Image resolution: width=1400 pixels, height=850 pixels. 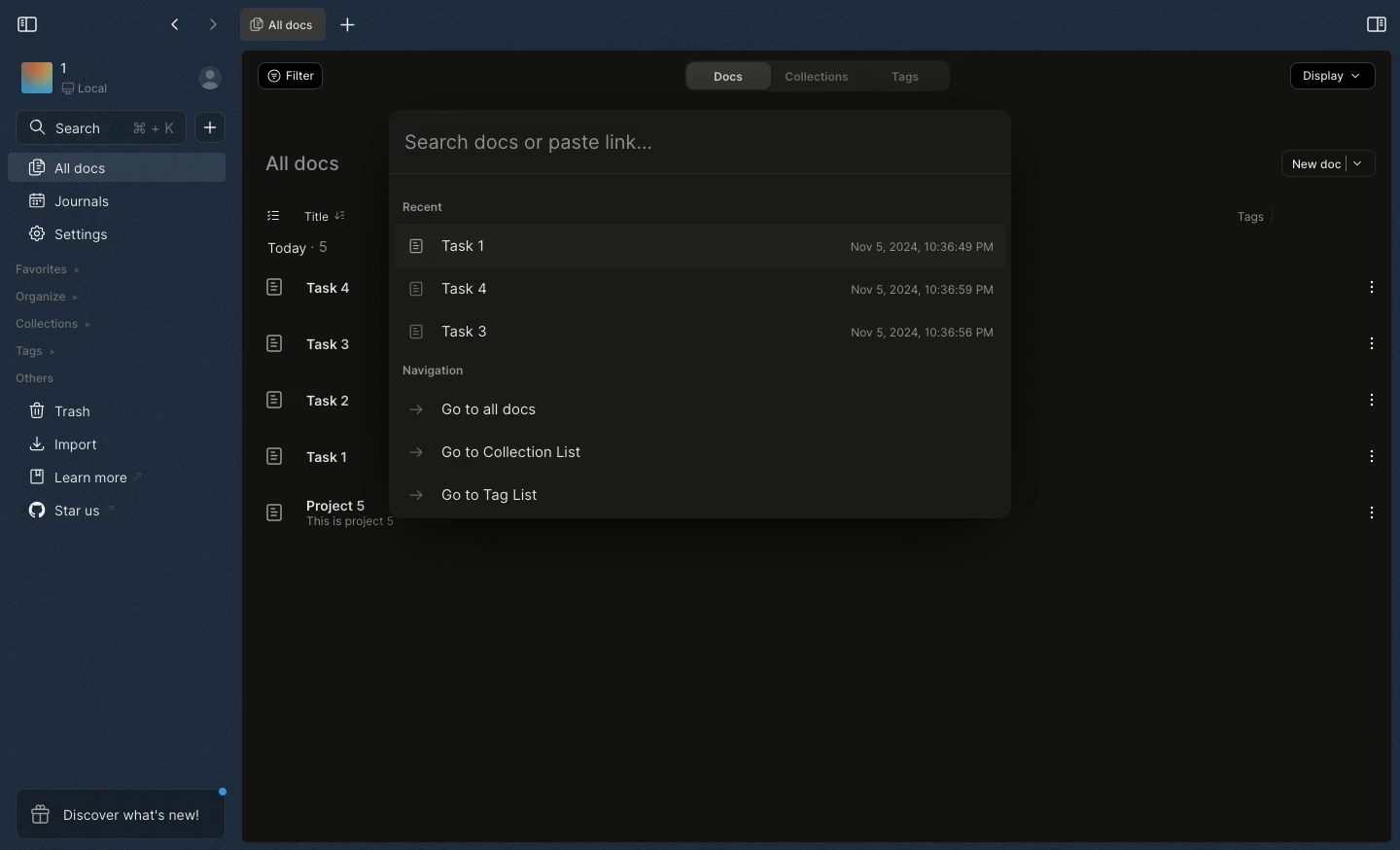 What do you see at coordinates (288, 75) in the screenshot?
I see `Filter` at bounding box center [288, 75].